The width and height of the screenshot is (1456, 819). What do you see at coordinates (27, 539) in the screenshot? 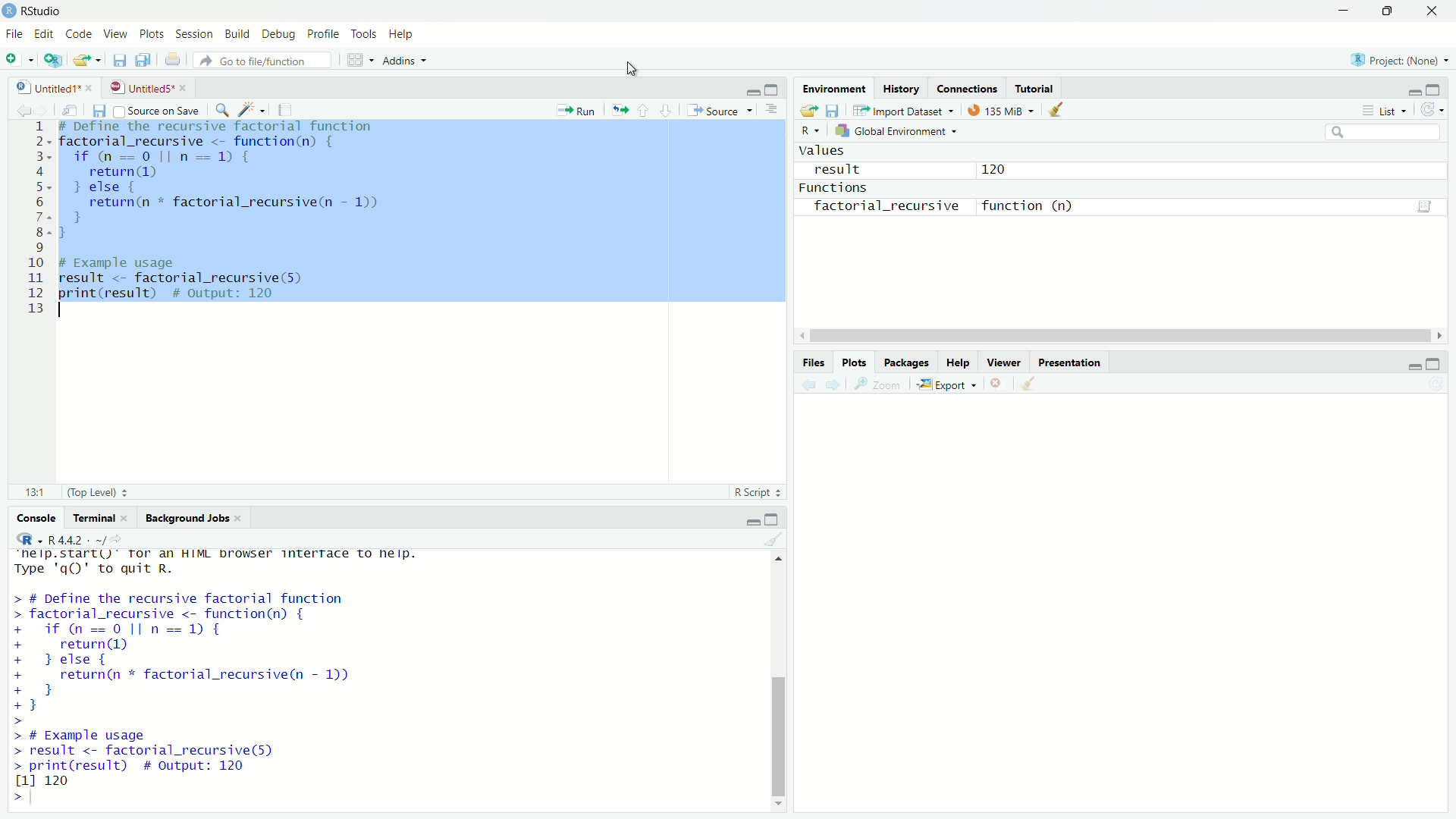
I see `R` at bounding box center [27, 539].